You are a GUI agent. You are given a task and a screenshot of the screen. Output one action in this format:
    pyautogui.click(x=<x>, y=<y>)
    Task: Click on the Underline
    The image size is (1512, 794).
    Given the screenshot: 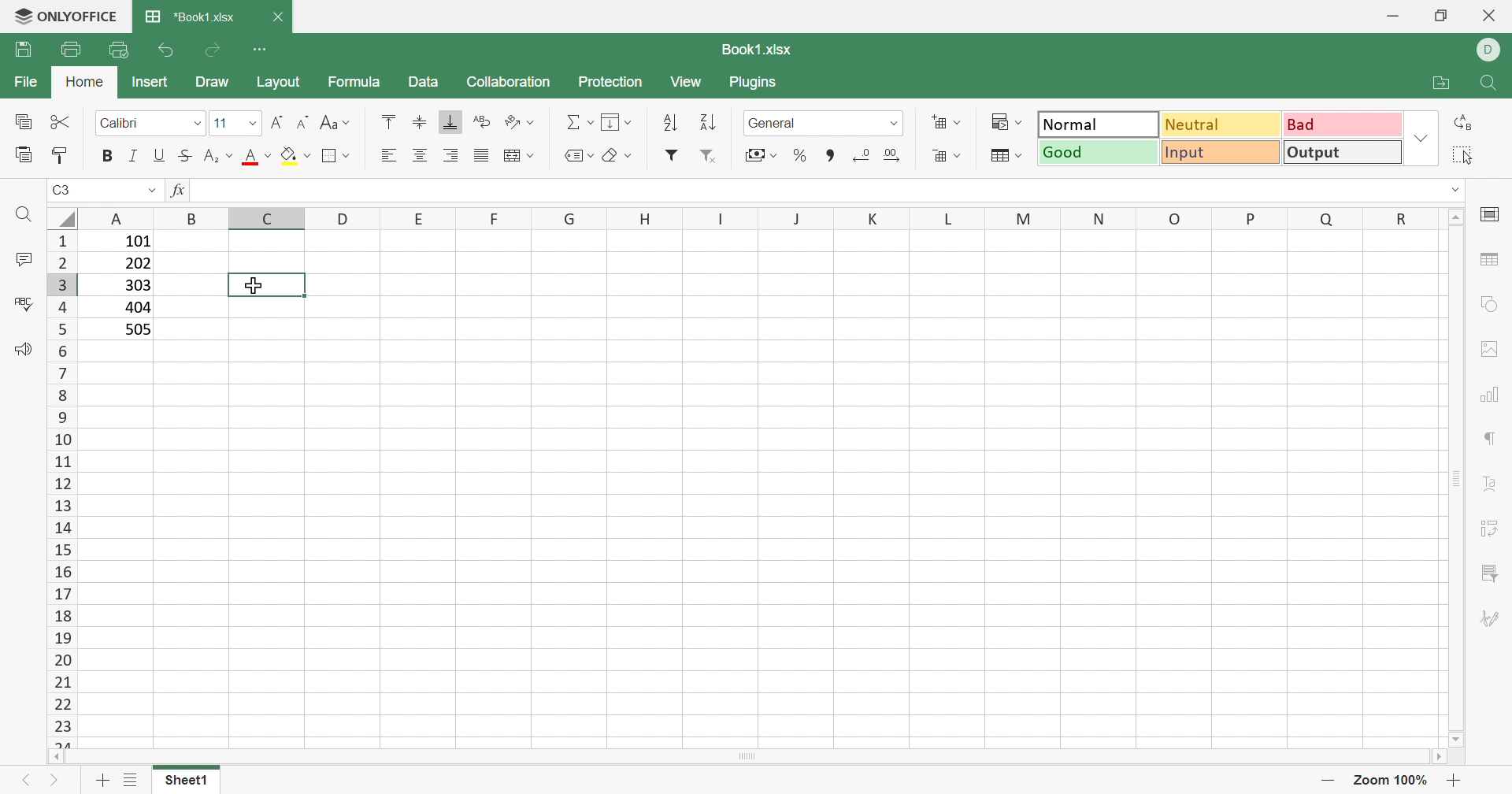 What is the action you would take?
    pyautogui.click(x=158, y=157)
    